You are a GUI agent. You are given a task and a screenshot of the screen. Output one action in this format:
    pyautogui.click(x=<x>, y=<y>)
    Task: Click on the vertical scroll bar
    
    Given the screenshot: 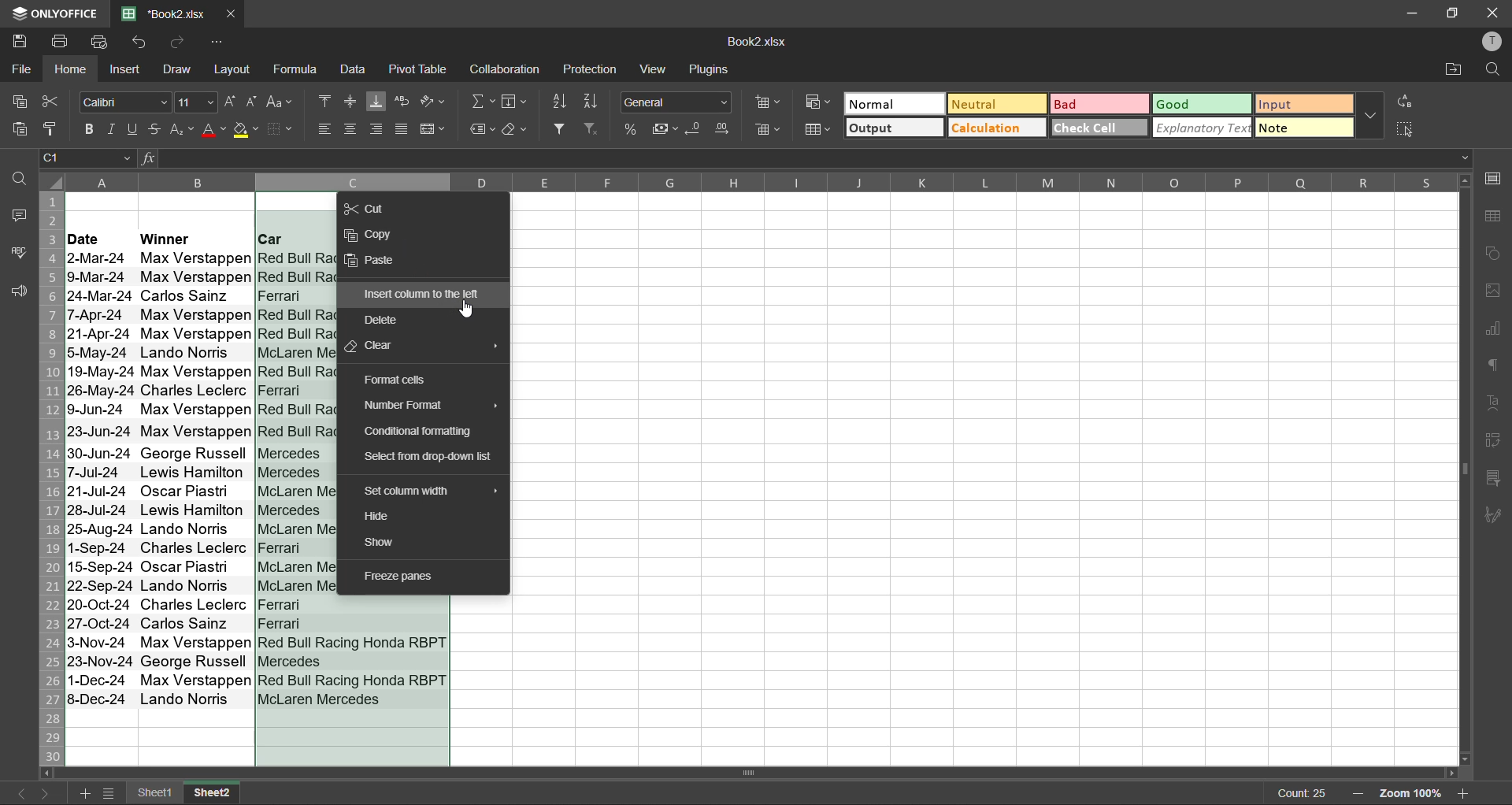 What is the action you would take?
    pyautogui.click(x=1462, y=350)
    